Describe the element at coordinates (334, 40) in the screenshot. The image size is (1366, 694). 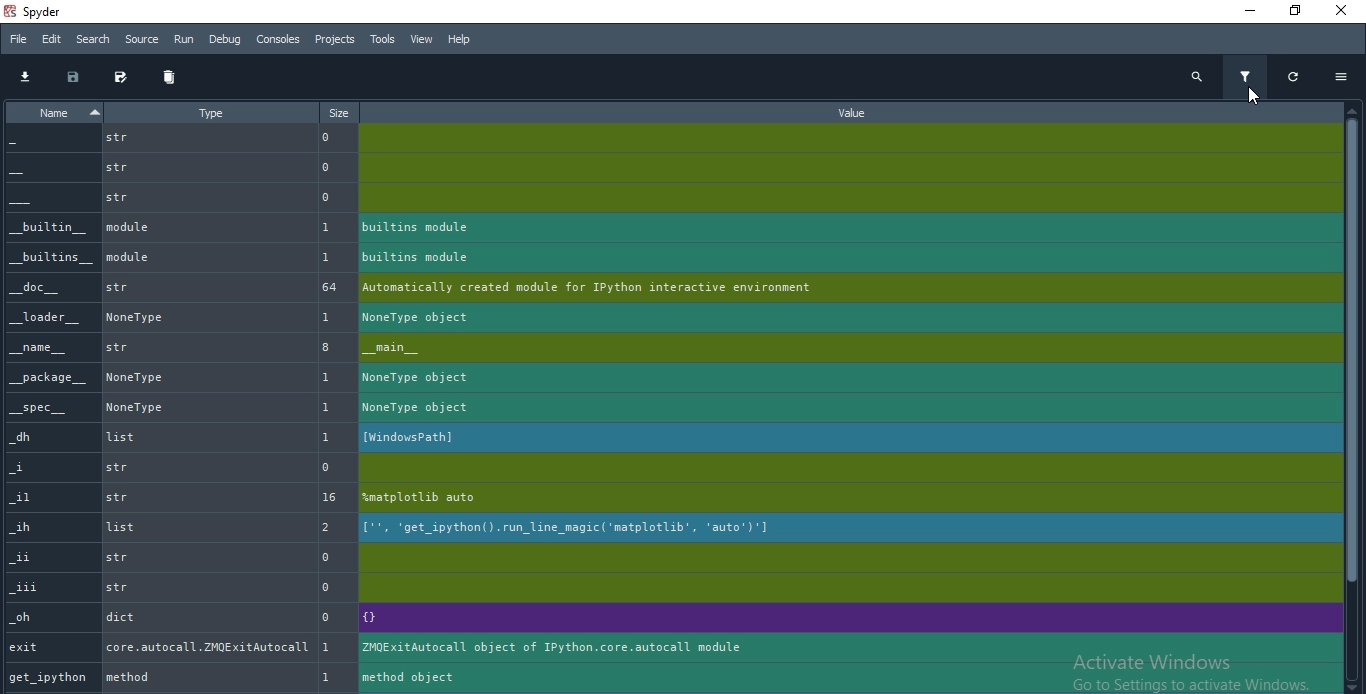
I see `Projects` at that location.